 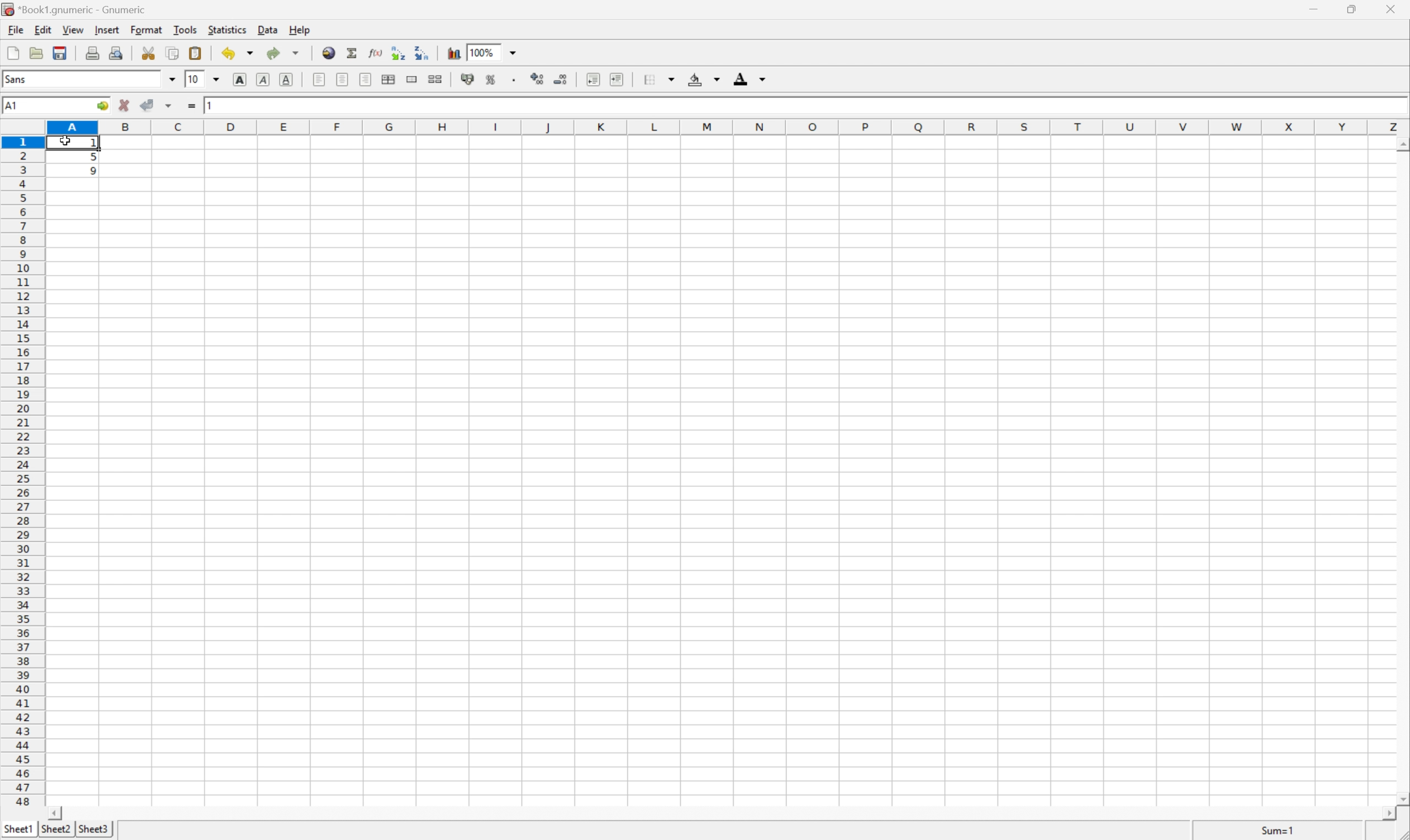 I want to click on accept changes across all selections, so click(x=169, y=106).